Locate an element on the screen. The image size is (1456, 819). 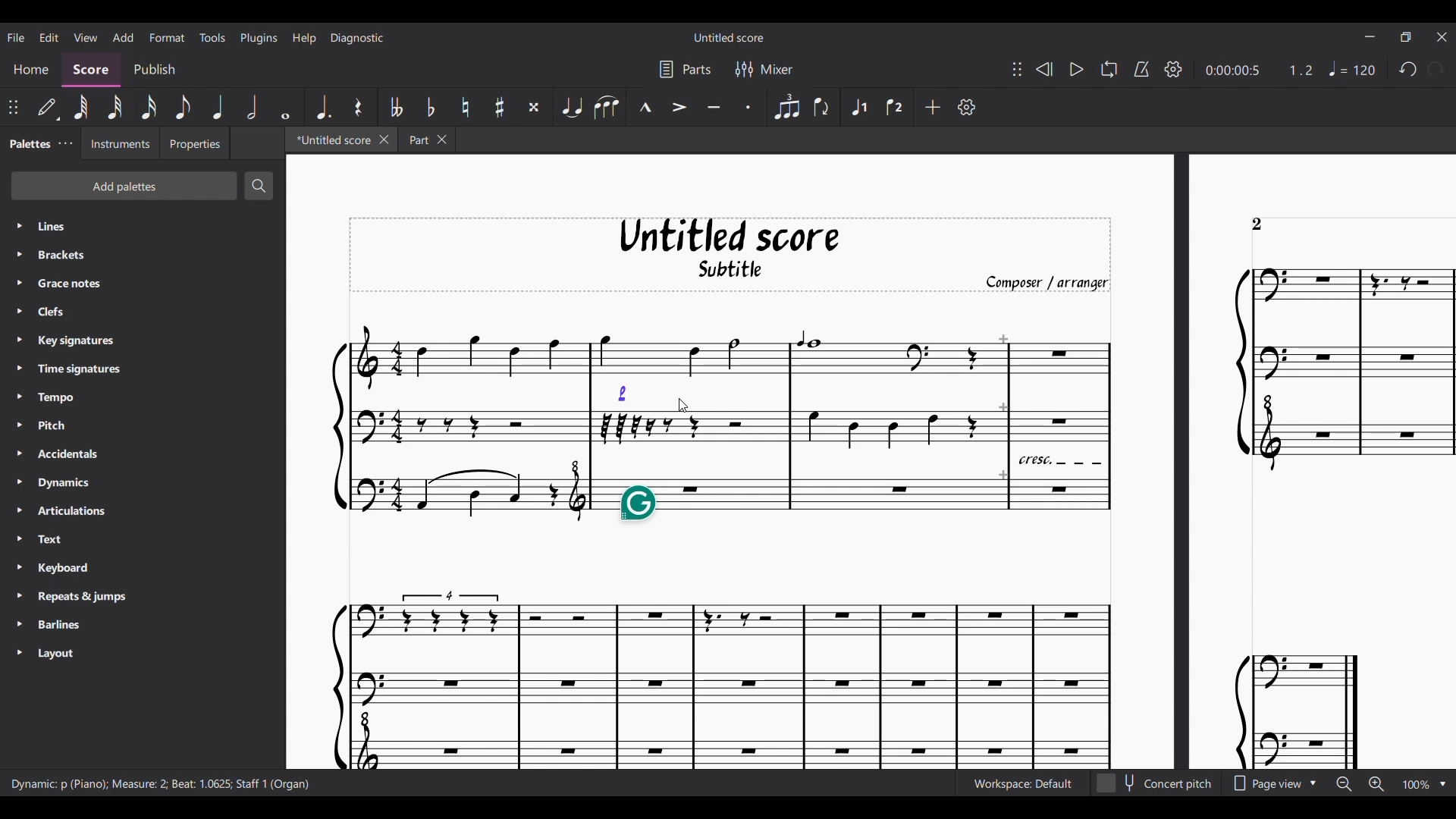
Instruments tab is located at coordinates (121, 143).